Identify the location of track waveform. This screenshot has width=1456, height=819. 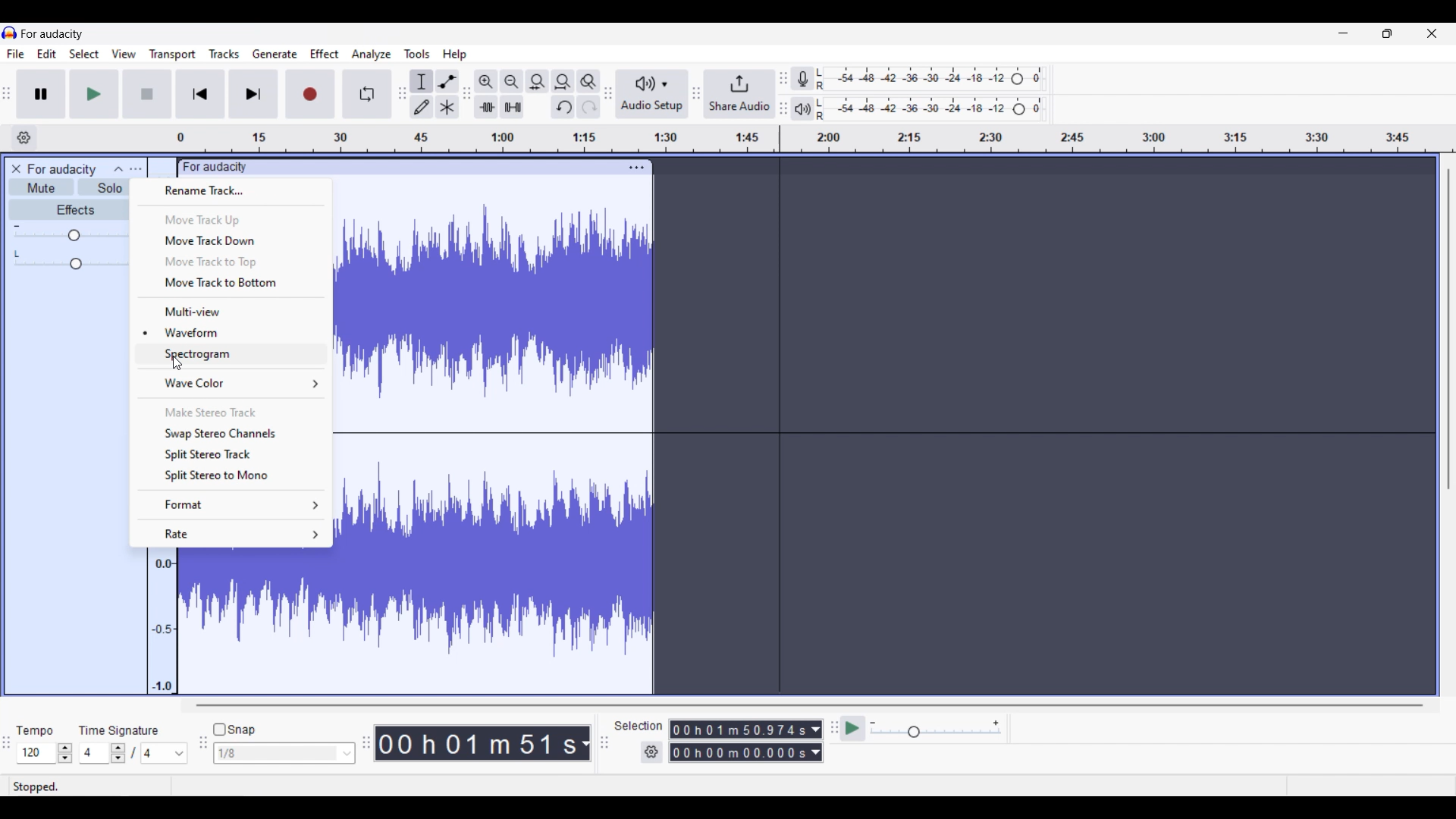
(498, 303).